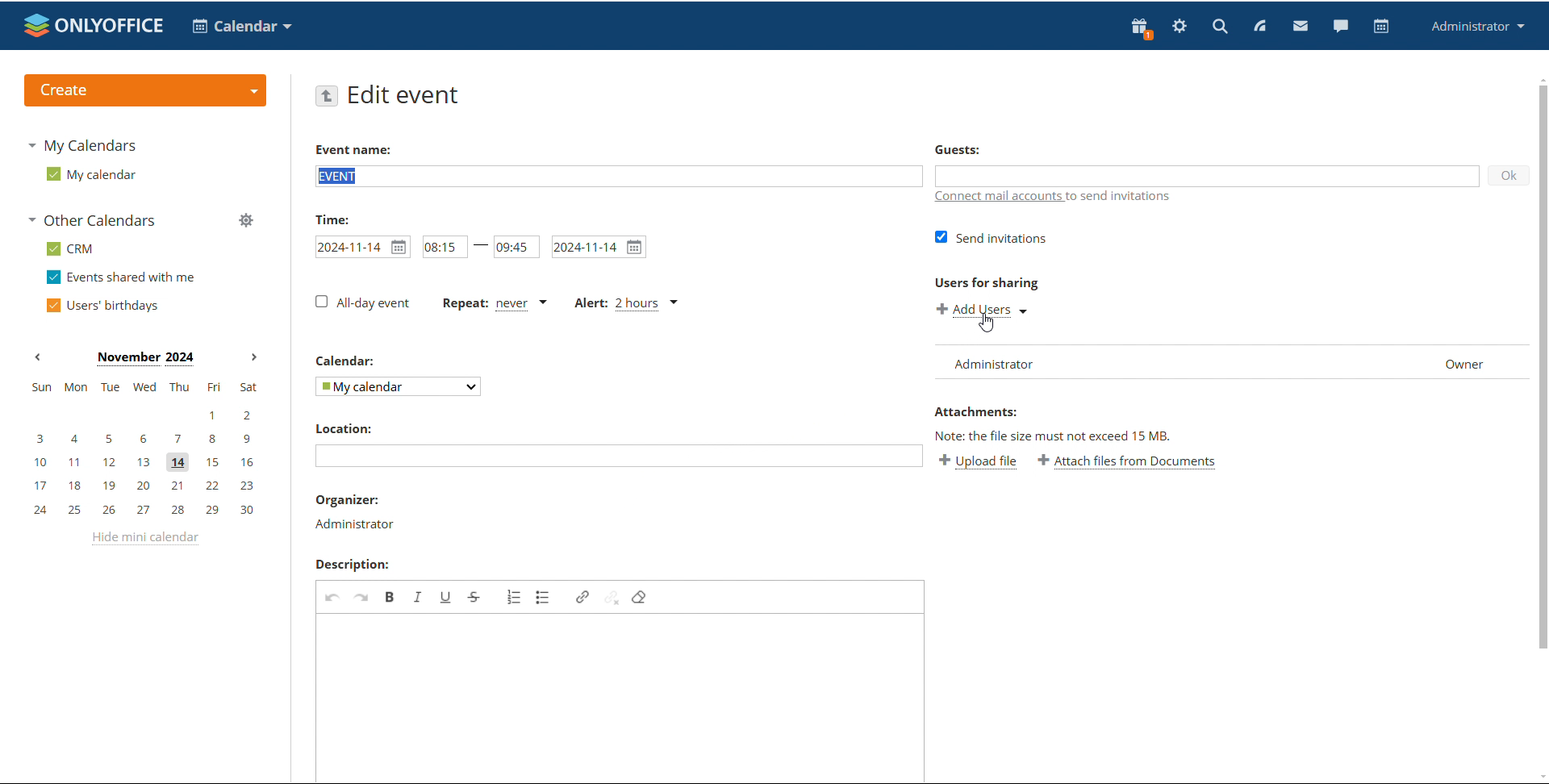 Image resolution: width=1549 pixels, height=784 pixels. Describe the element at coordinates (92, 173) in the screenshot. I see `my calendar` at that location.